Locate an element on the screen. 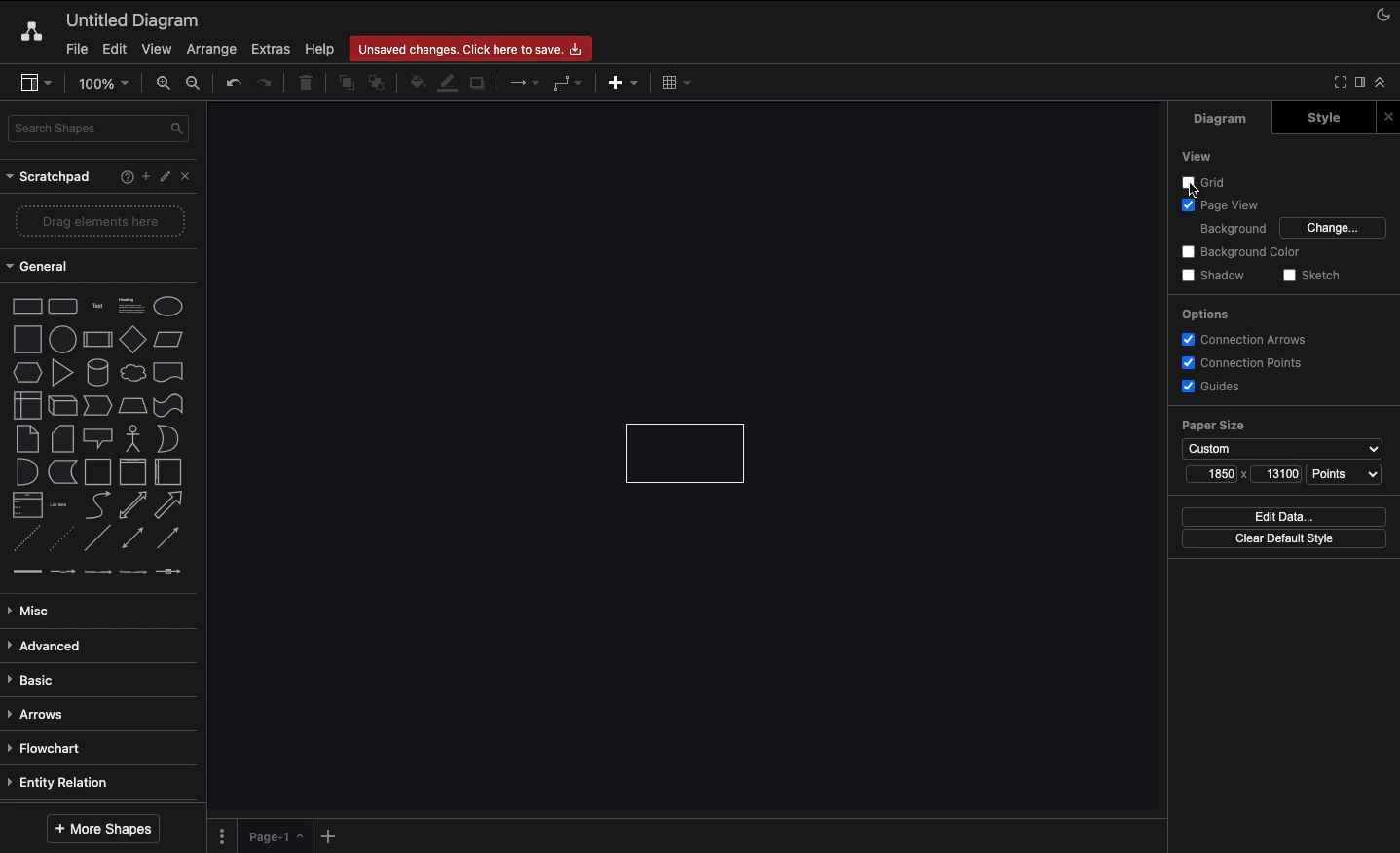 This screenshot has height=853, width=1400. Diagram is located at coordinates (1228, 119).